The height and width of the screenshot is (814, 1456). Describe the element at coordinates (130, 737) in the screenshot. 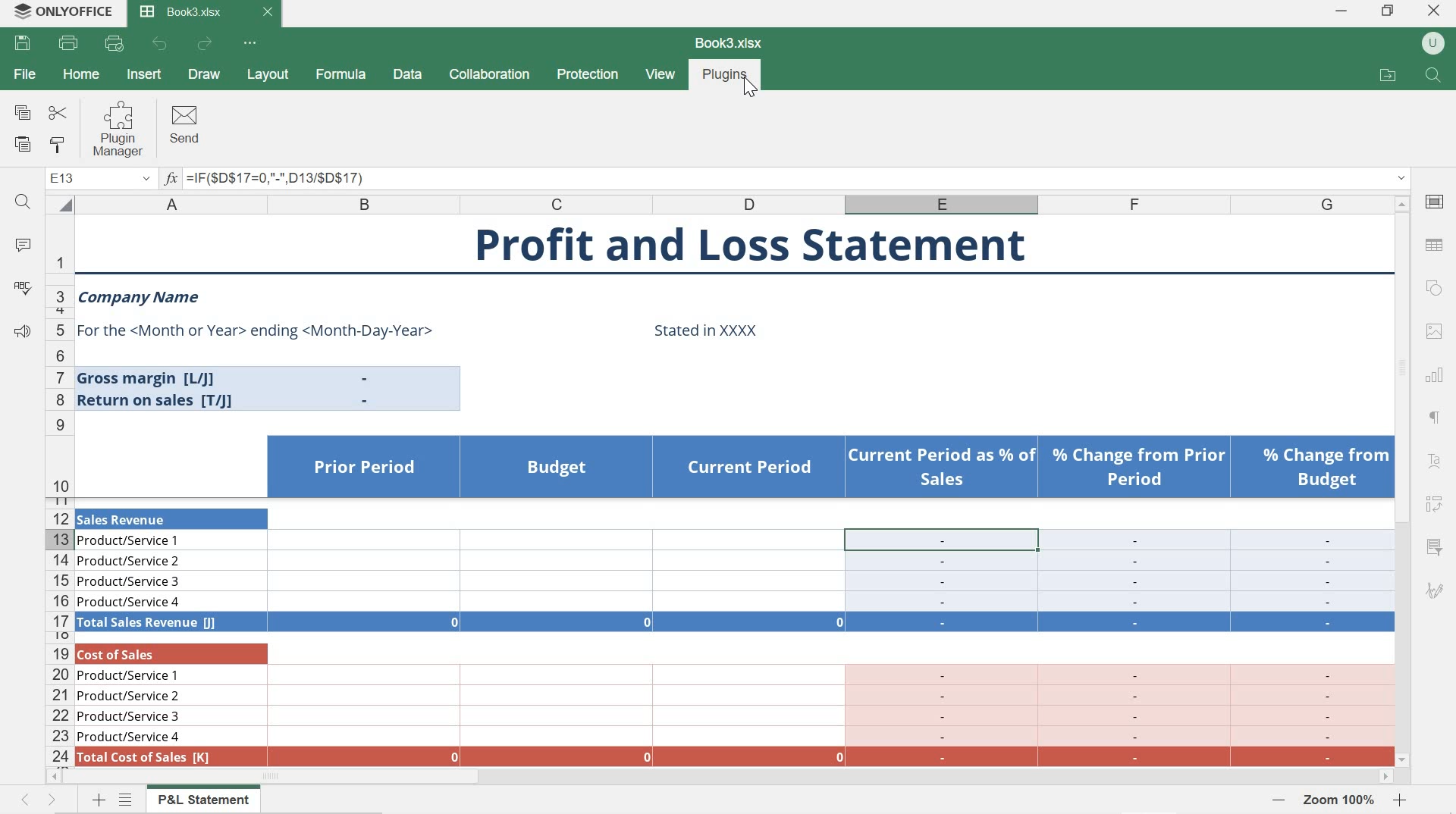

I see `Product/Service 4` at that location.